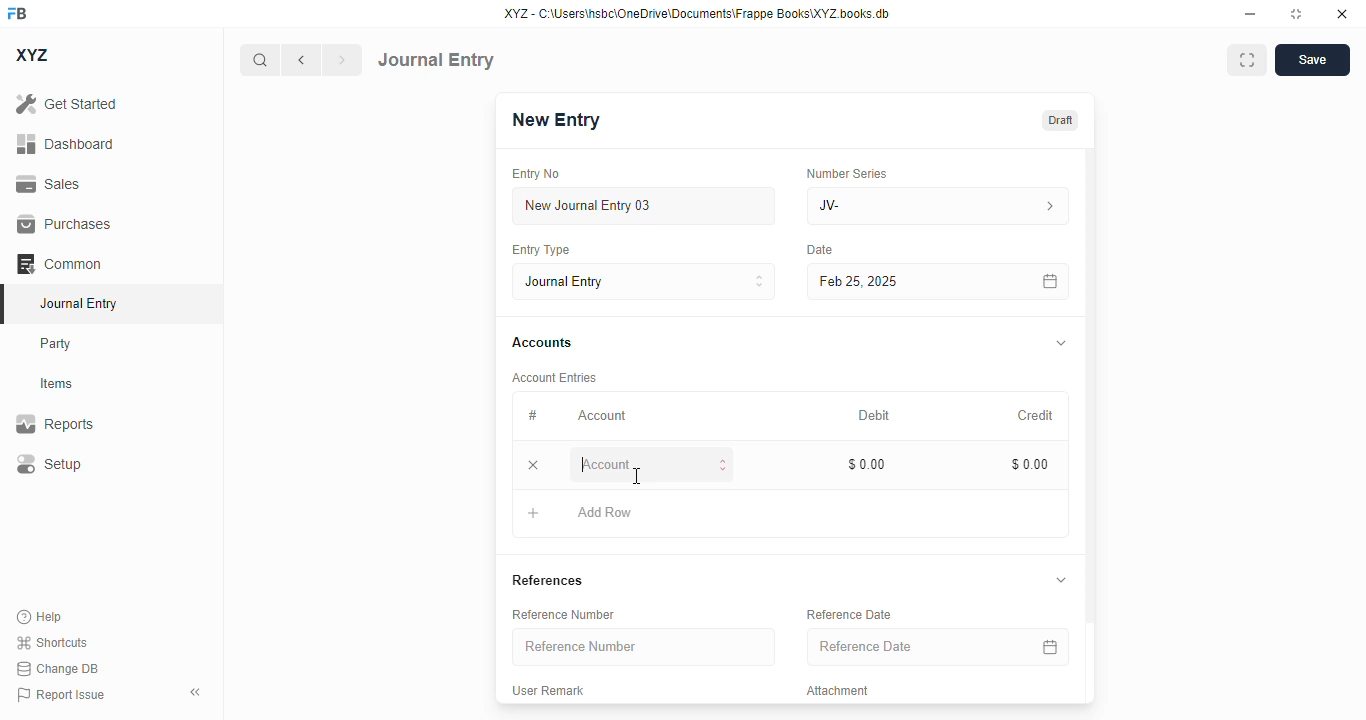  Describe the element at coordinates (1051, 282) in the screenshot. I see `calendar icon` at that location.